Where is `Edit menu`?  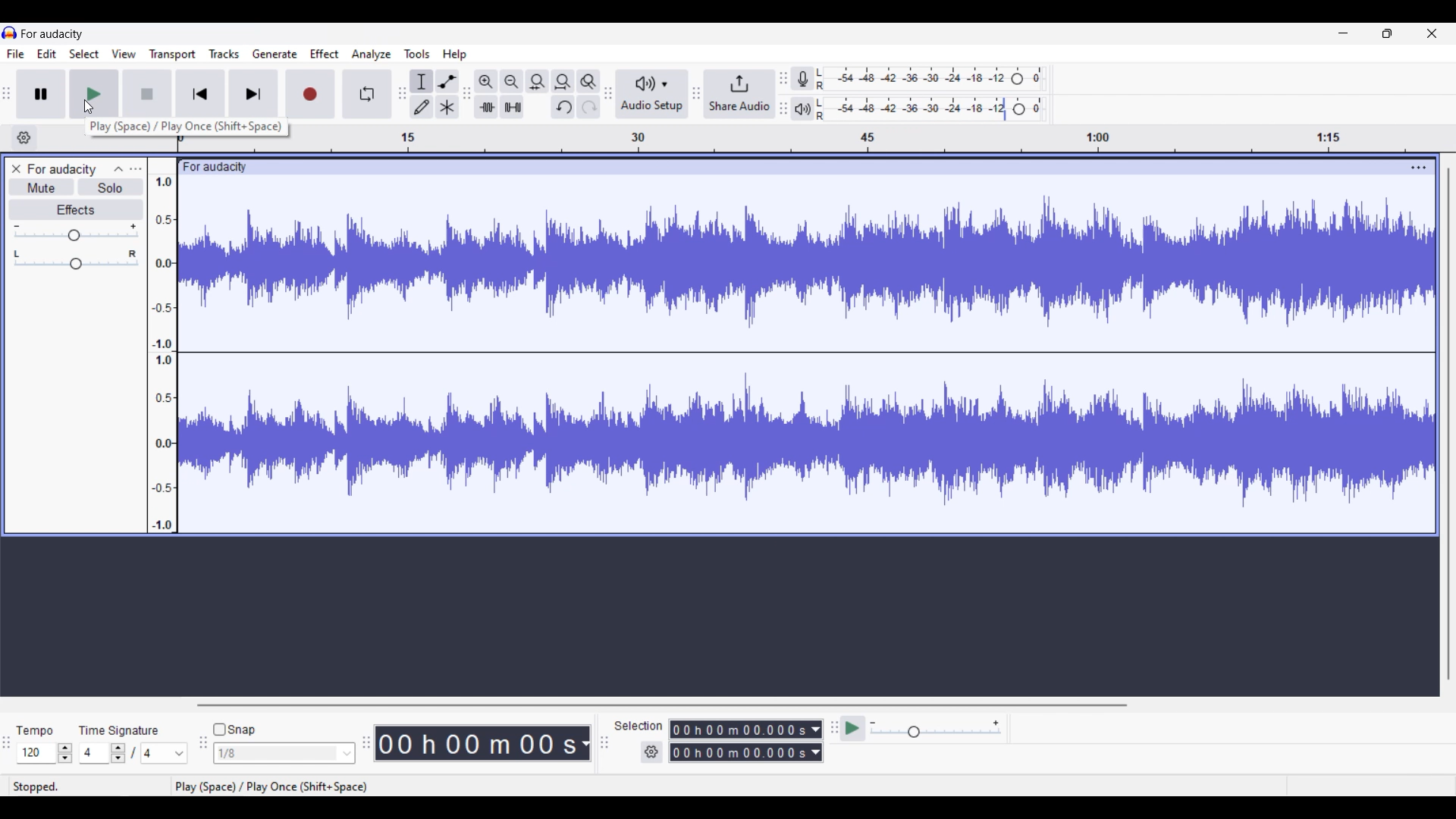
Edit menu is located at coordinates (47, 54).